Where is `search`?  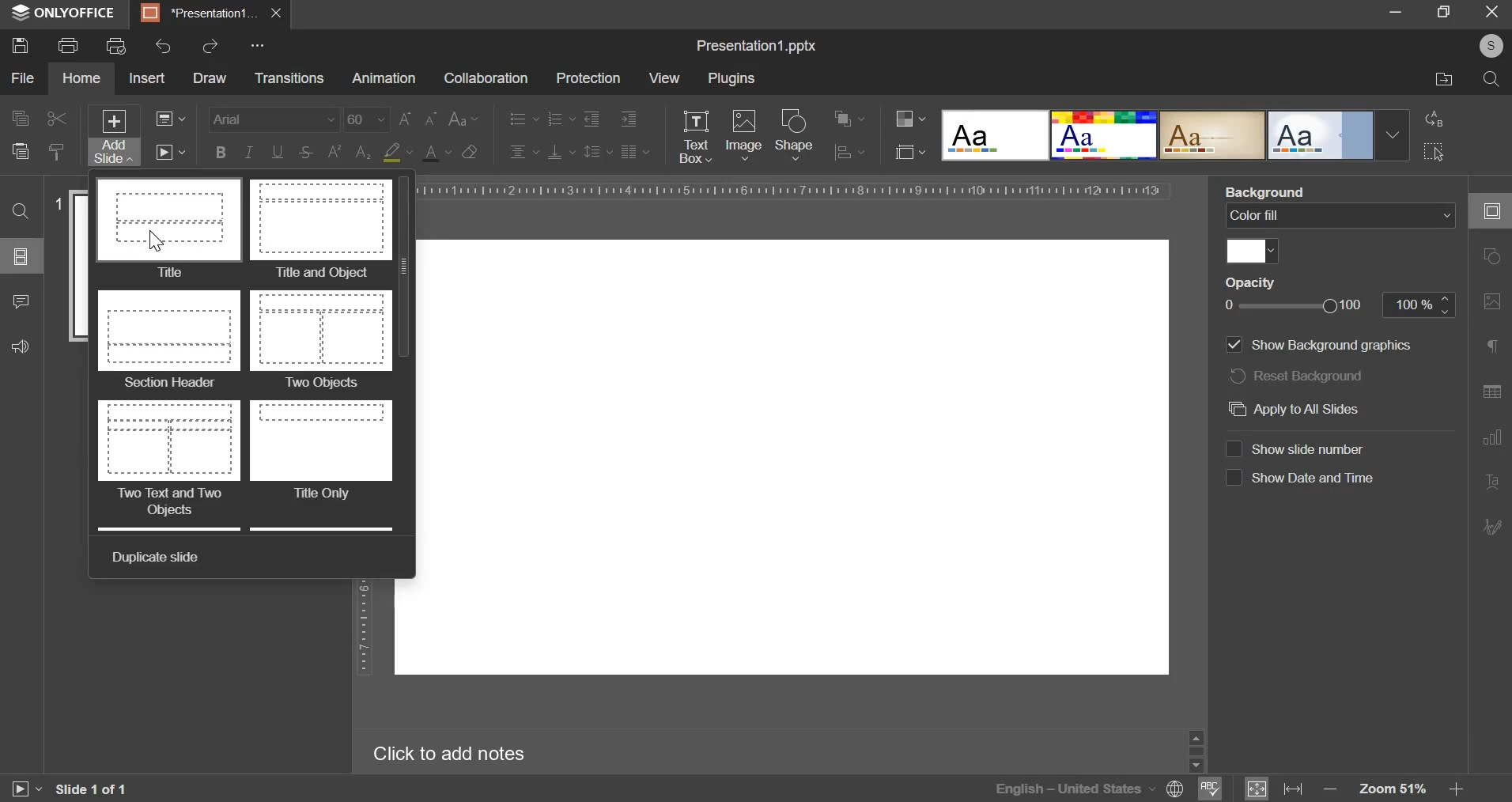 search is located at coordinates (1491, 79).